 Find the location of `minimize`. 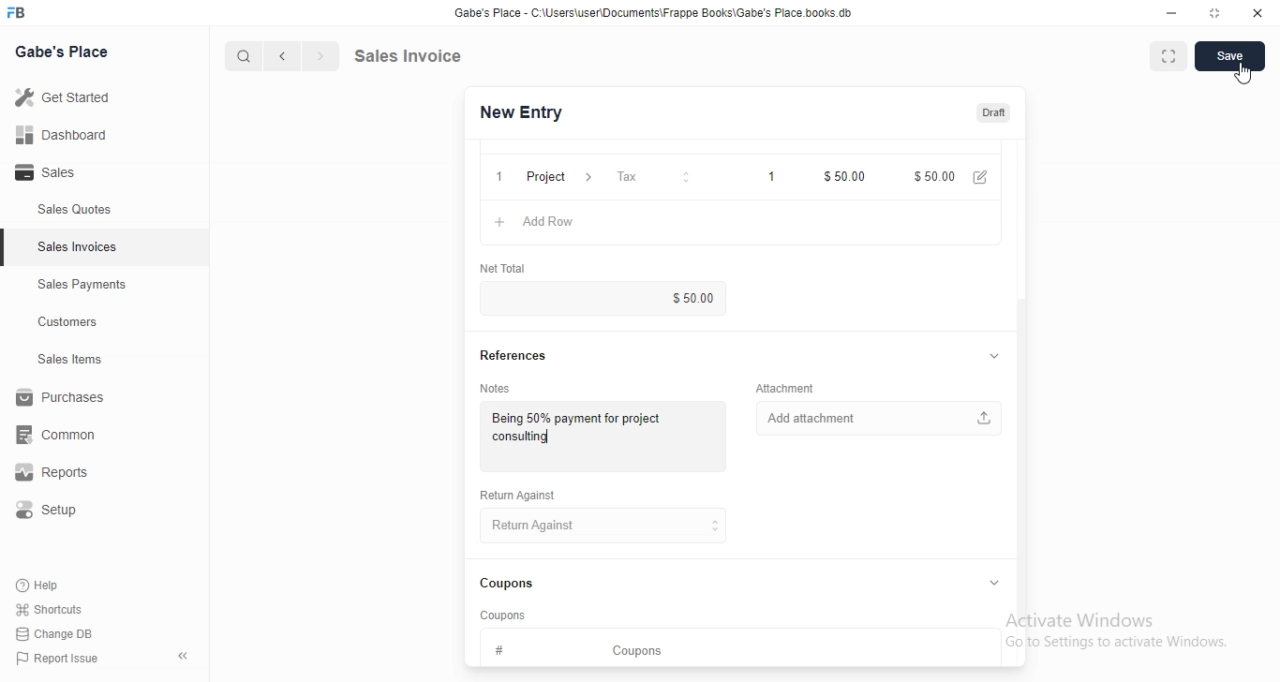

minimize is located at coordinates (1163, 15).